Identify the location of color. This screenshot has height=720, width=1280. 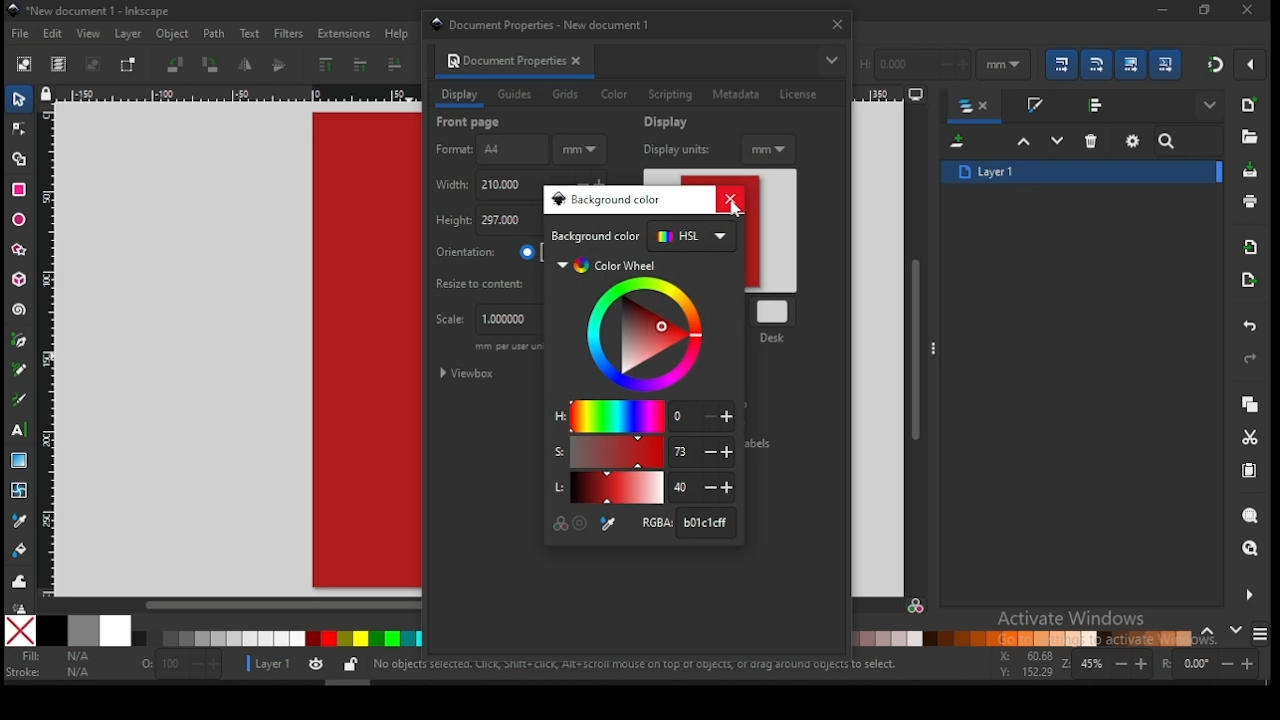
(614, 95).